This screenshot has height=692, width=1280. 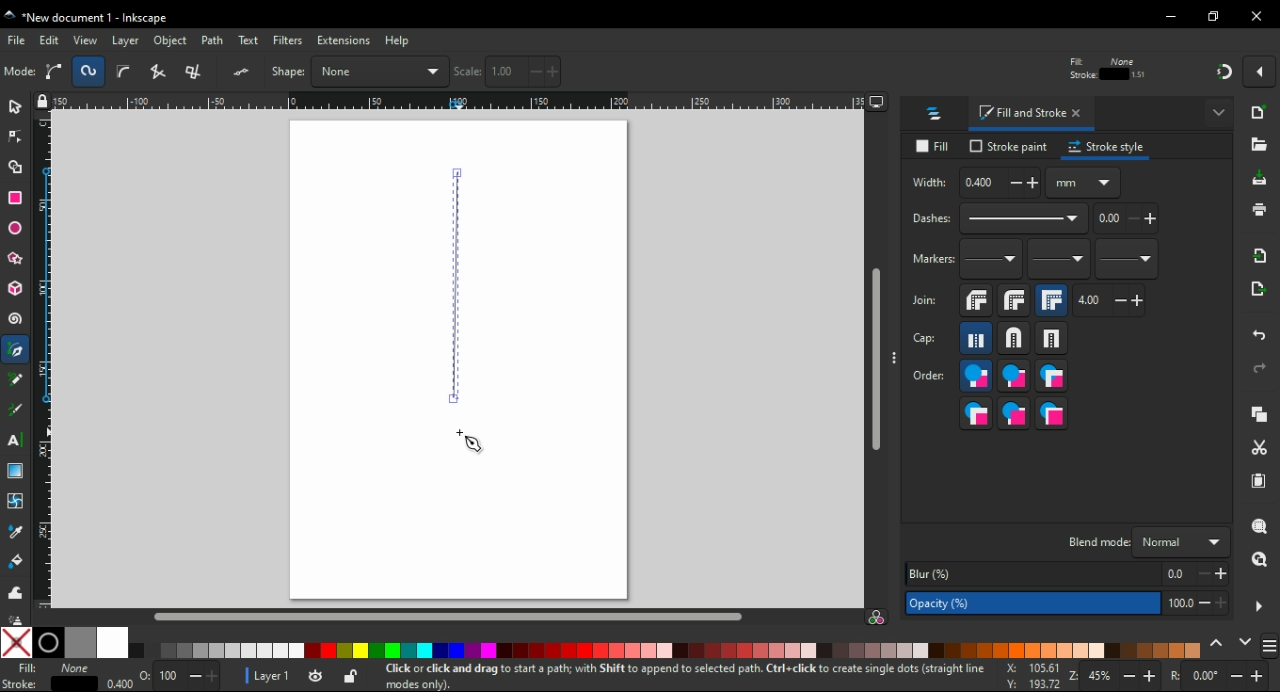 I want to click on cap, so click(x=925, y=339).